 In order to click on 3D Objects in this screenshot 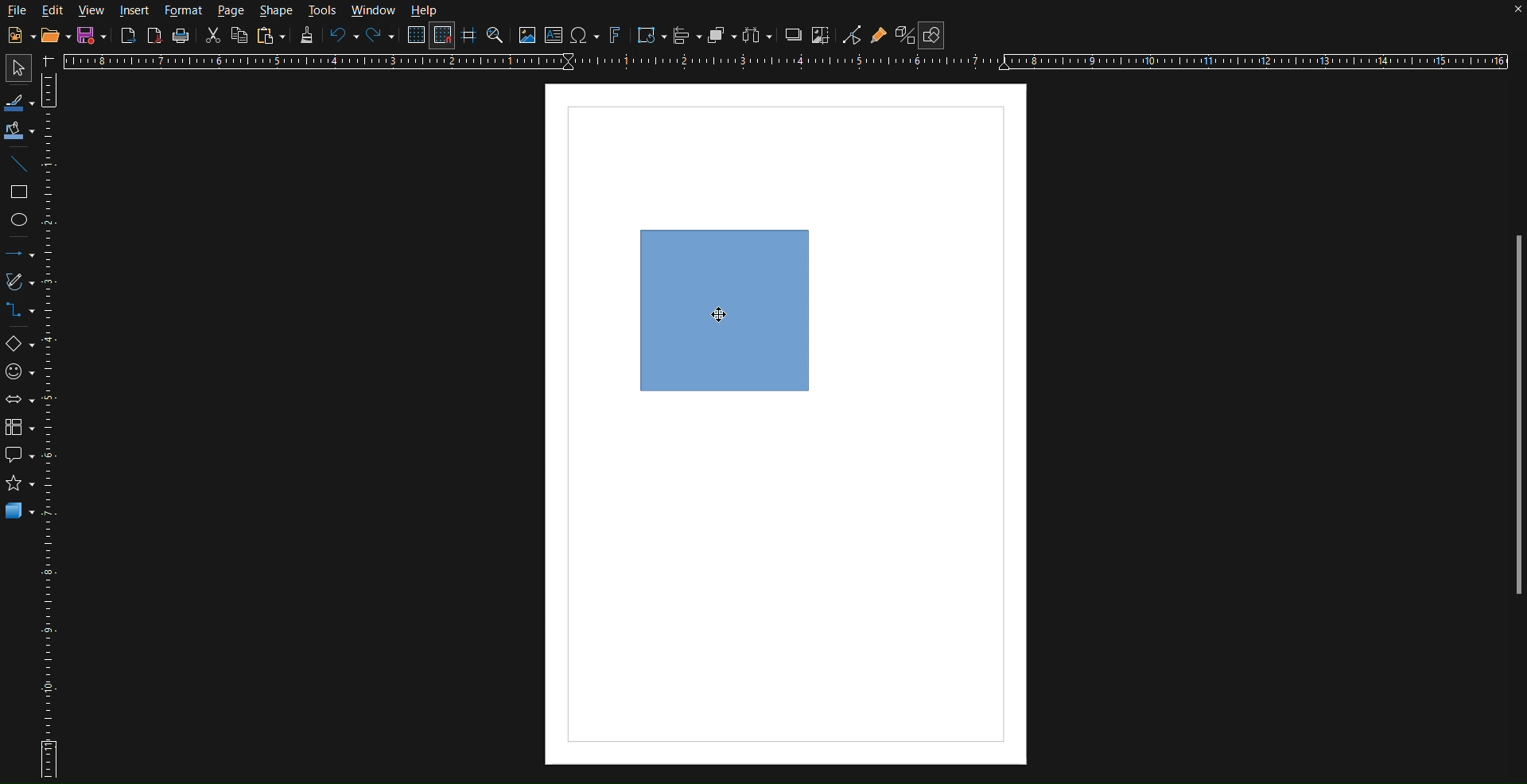, I will do `click(20, 514)`.